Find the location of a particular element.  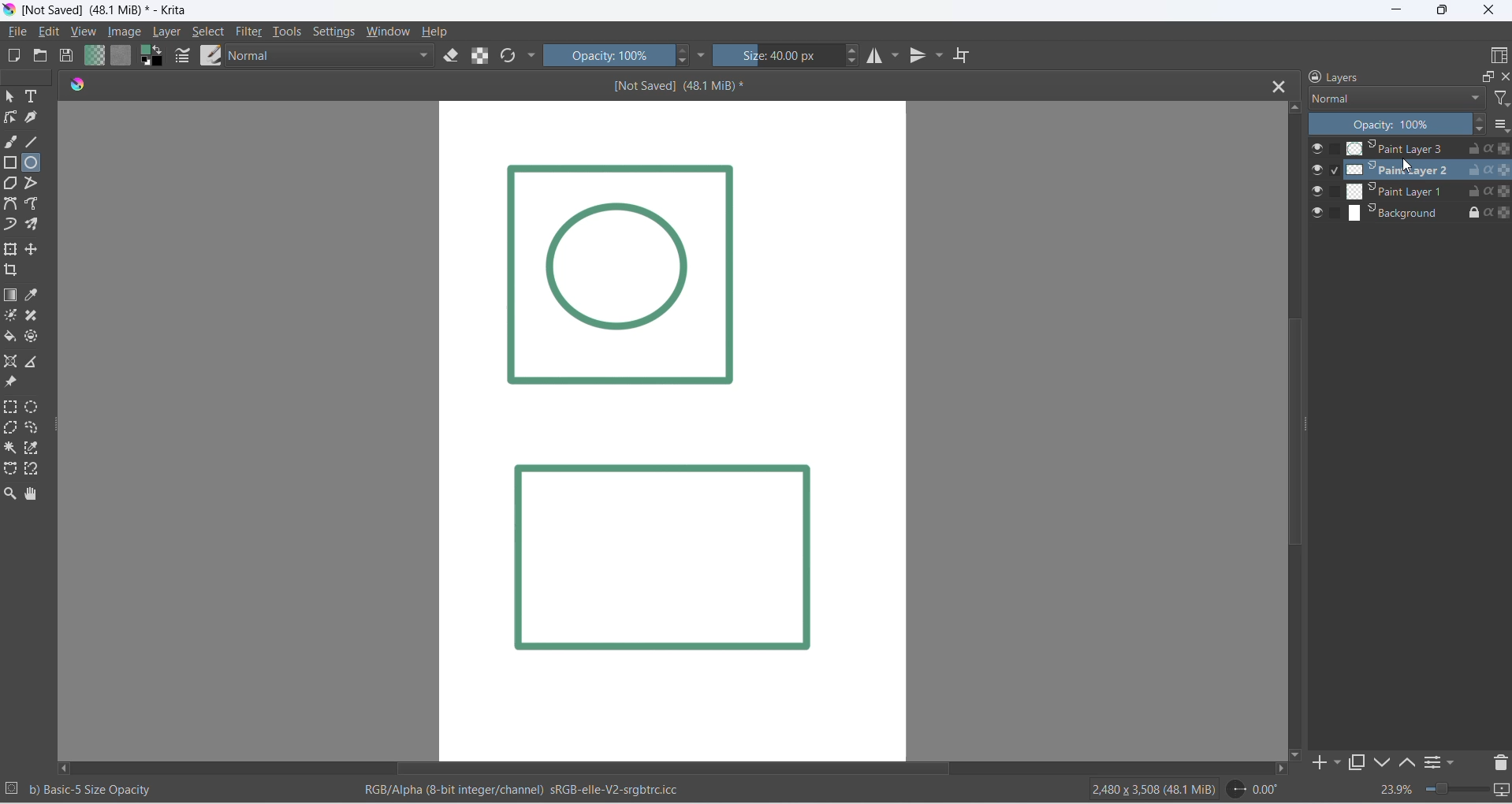

pan tool is located at coordinates (35, 494).